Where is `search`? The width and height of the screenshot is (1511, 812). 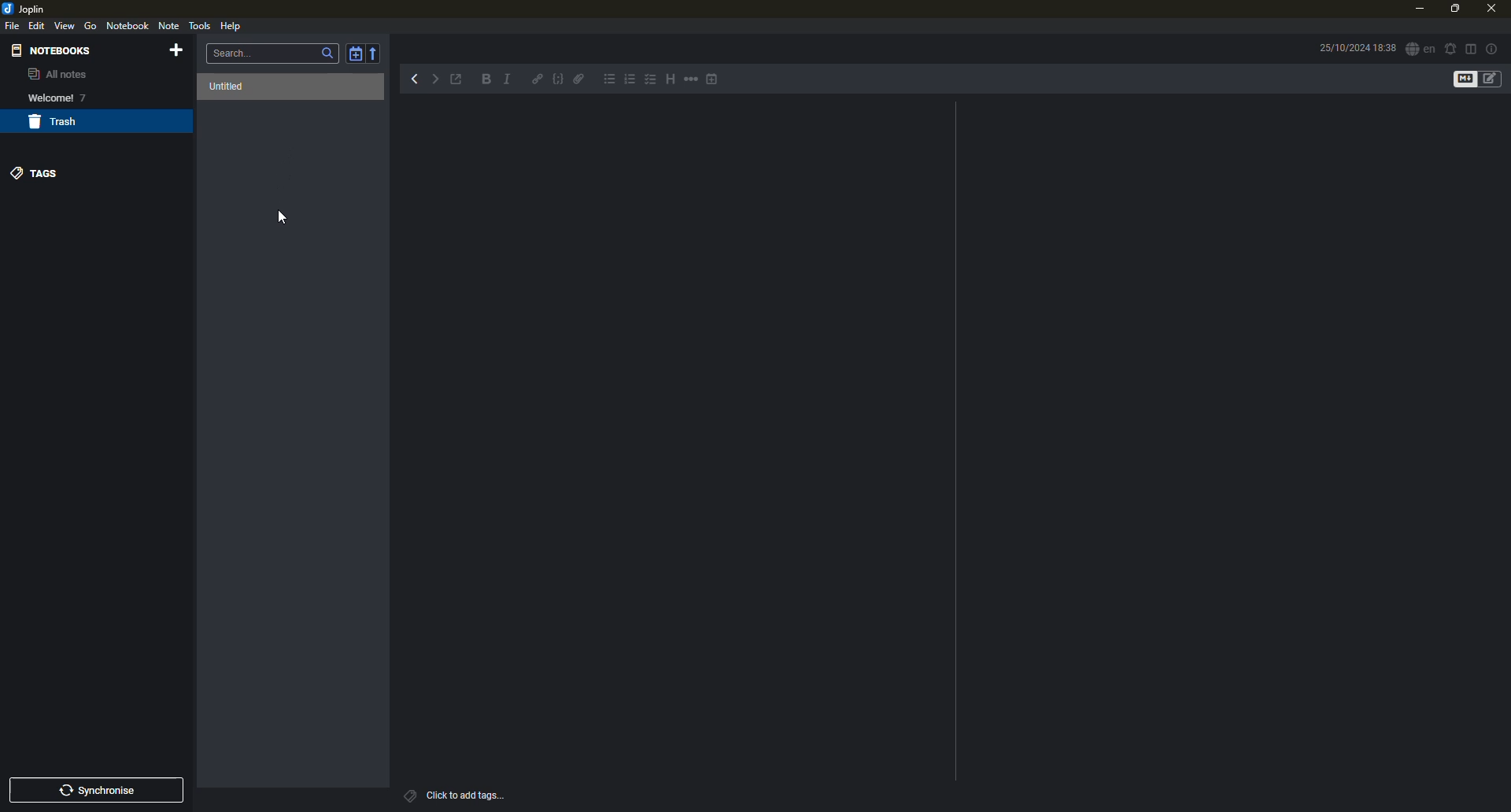
search is located at coordinates (327, 54).